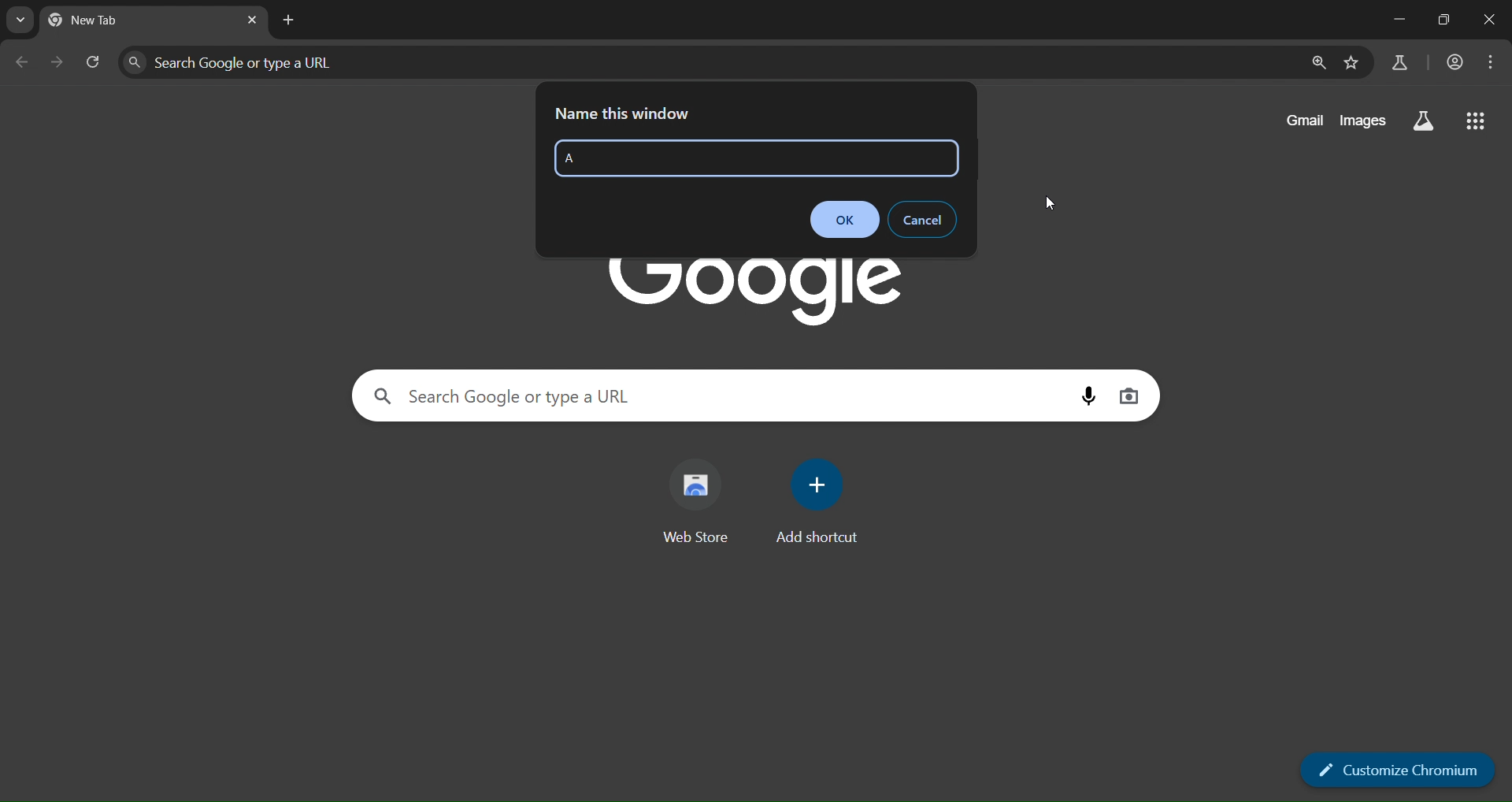 Image resolution: width=1512 pixels, height=802 pixels. What do you see at coordinates (95, 61) in the screenshot?
I see `reload tab` at bounding box center [95, 61].